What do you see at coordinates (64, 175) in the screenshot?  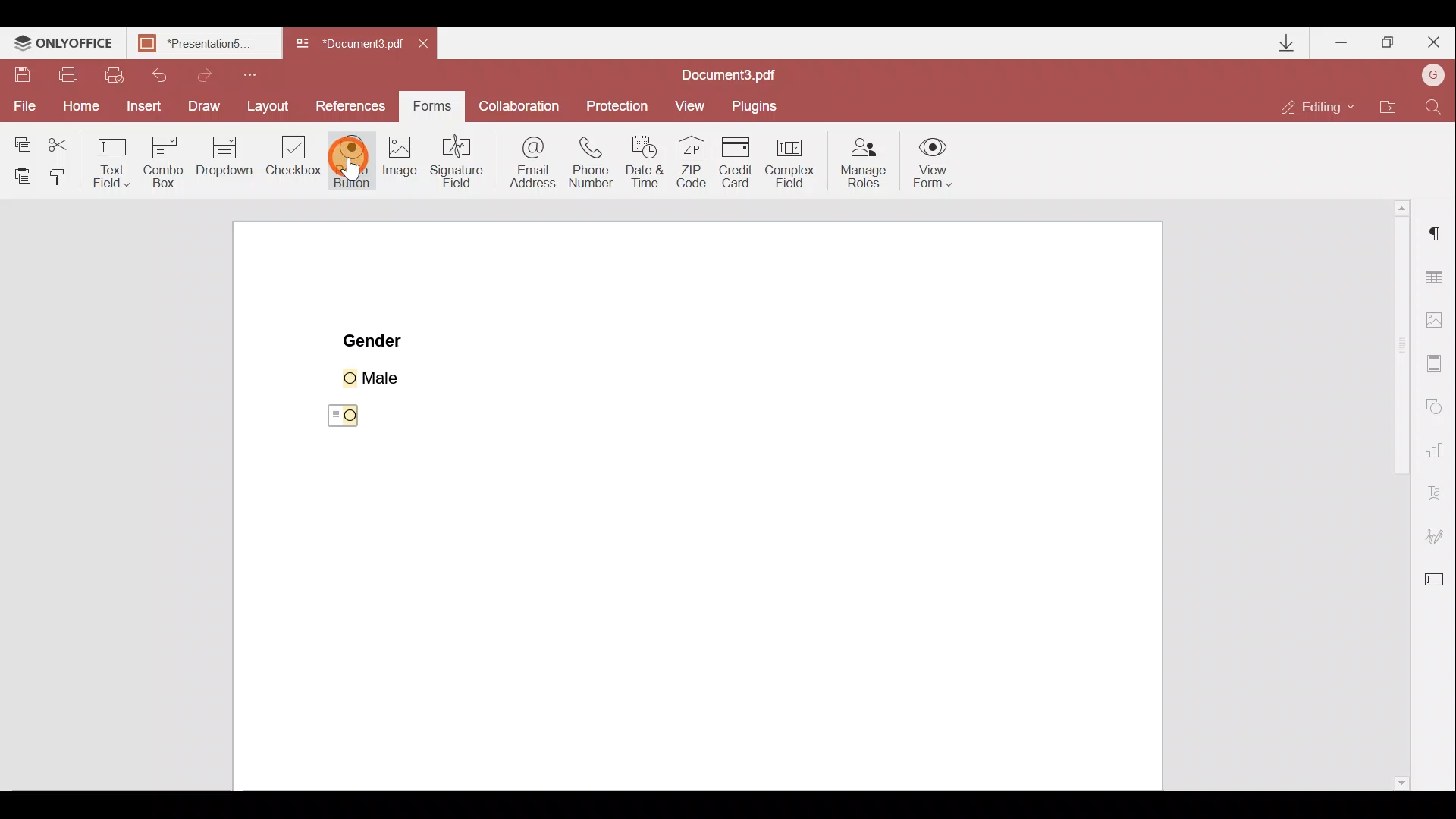 I see `Copy style` at bounding box center [64, 175].